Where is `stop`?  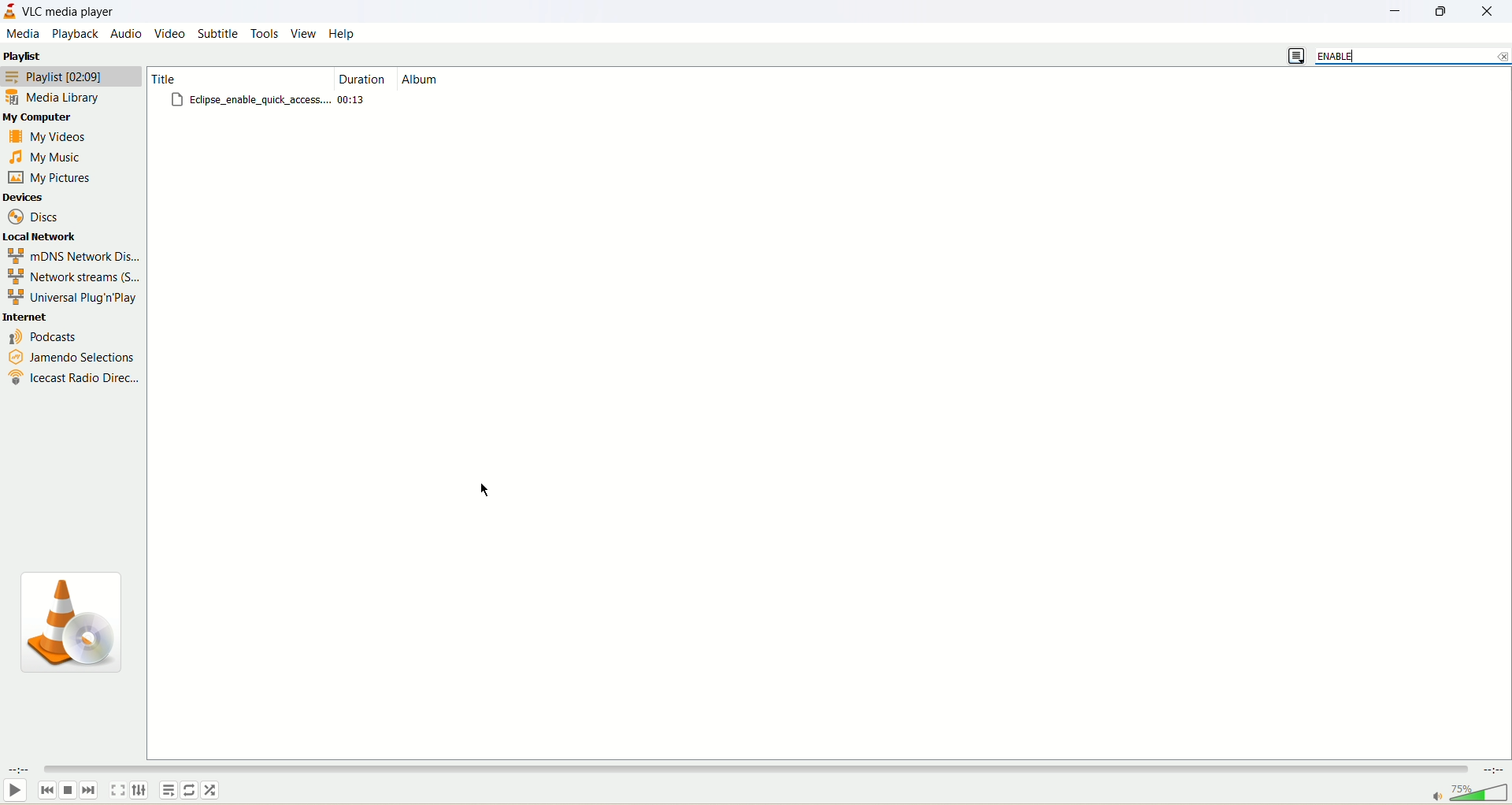
stop is located at coordinates (68, 792).